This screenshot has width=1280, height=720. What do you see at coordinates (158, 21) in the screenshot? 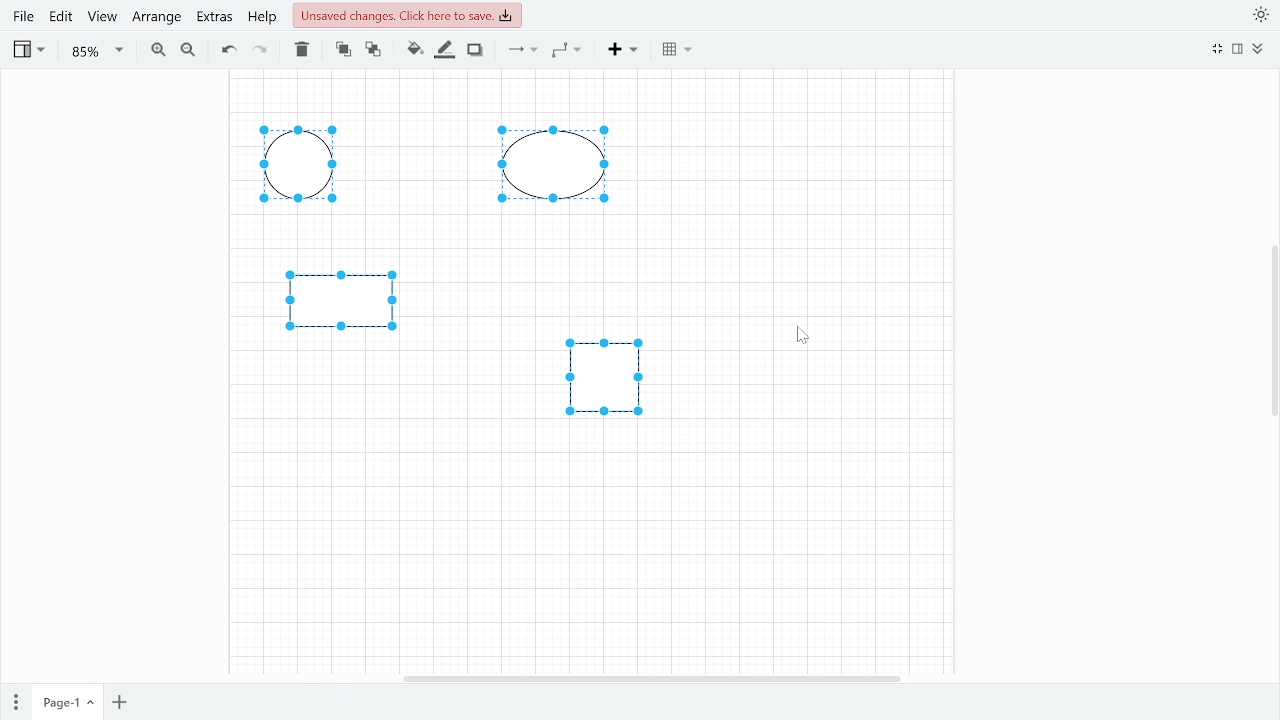
I see `Arrange` at bounding box center [158, 21].